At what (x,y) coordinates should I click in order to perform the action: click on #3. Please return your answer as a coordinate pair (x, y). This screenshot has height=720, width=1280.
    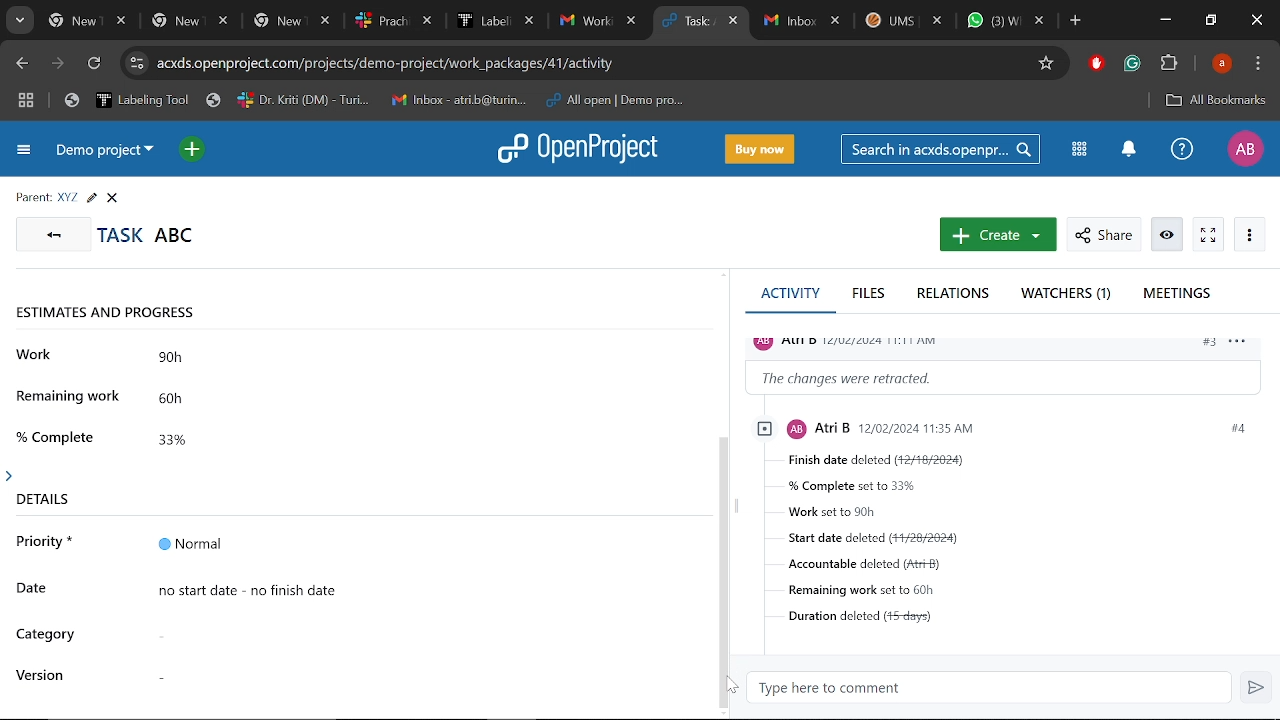
    Looking at the image, I should click on (1208, 344).